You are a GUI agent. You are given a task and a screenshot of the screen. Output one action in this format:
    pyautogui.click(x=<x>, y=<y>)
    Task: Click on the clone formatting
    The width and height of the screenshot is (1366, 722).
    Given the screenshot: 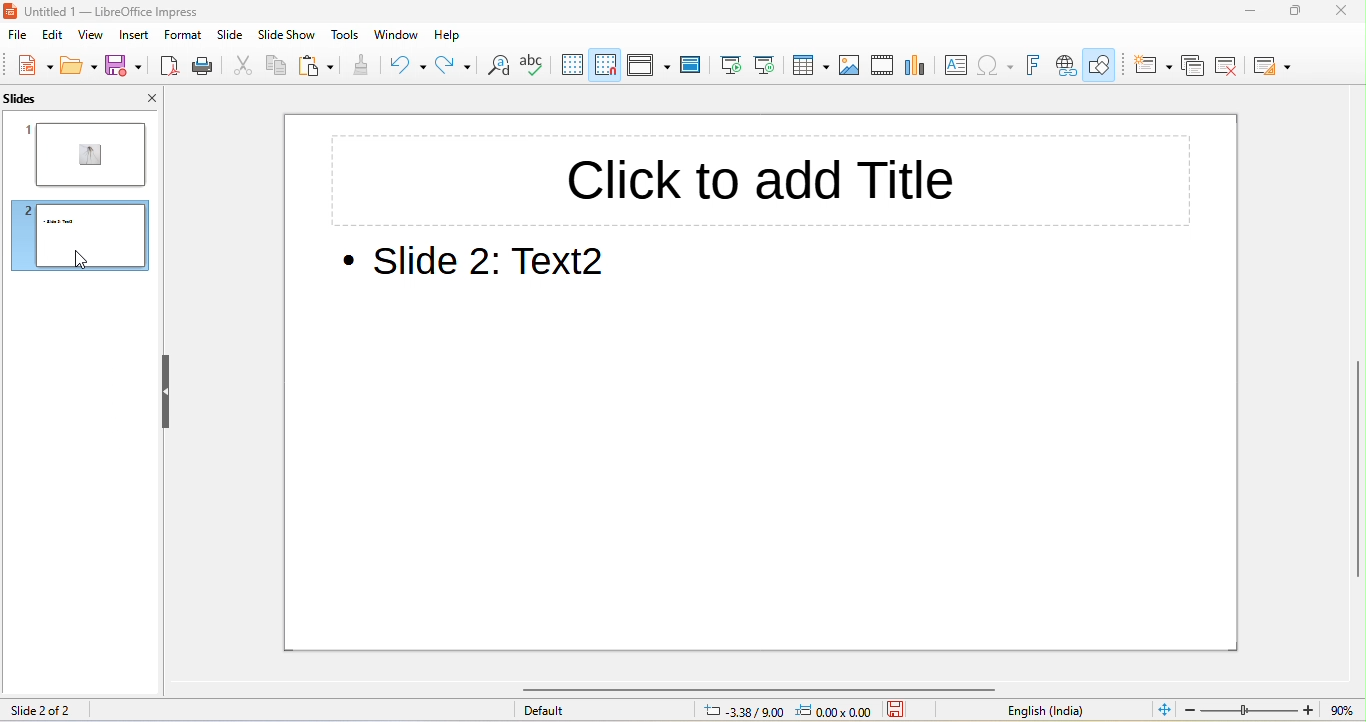 What is the action you would take?
    pyautogui.click(x=362, y=69)
    